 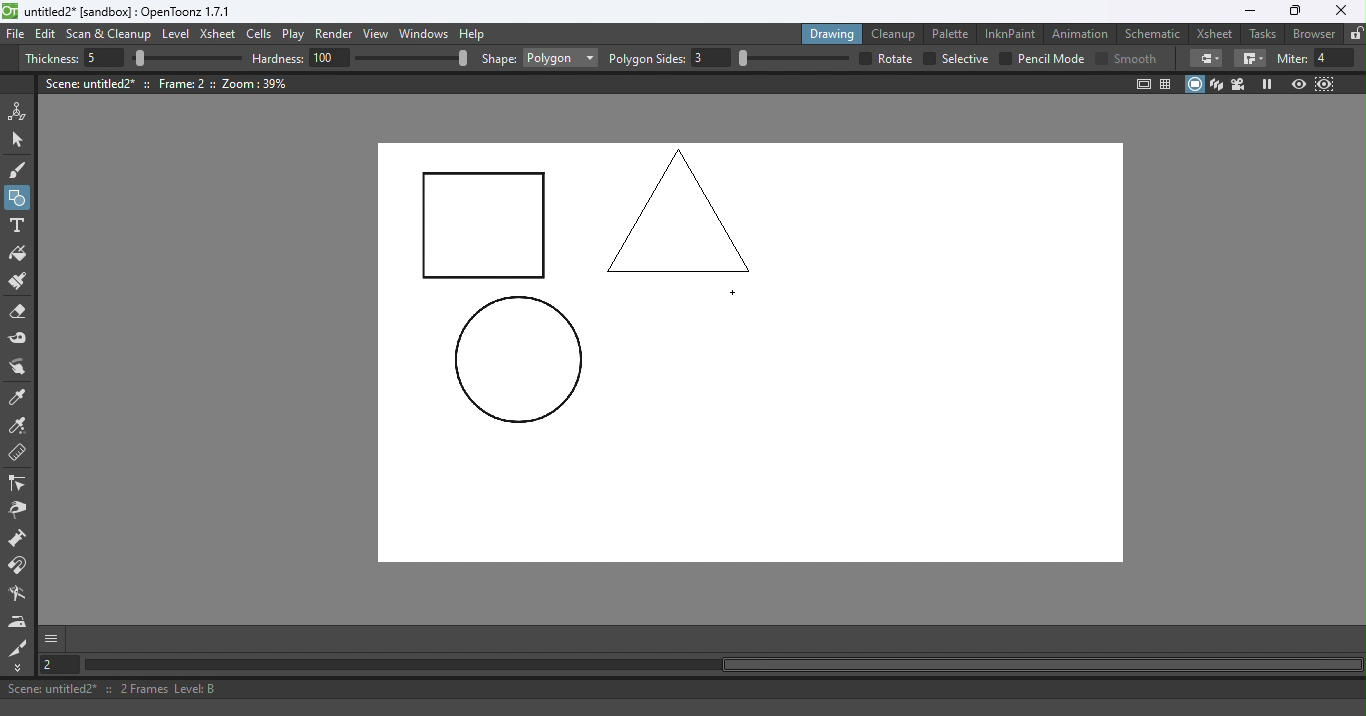 I want to click on slider, so click(x=411, y=57).